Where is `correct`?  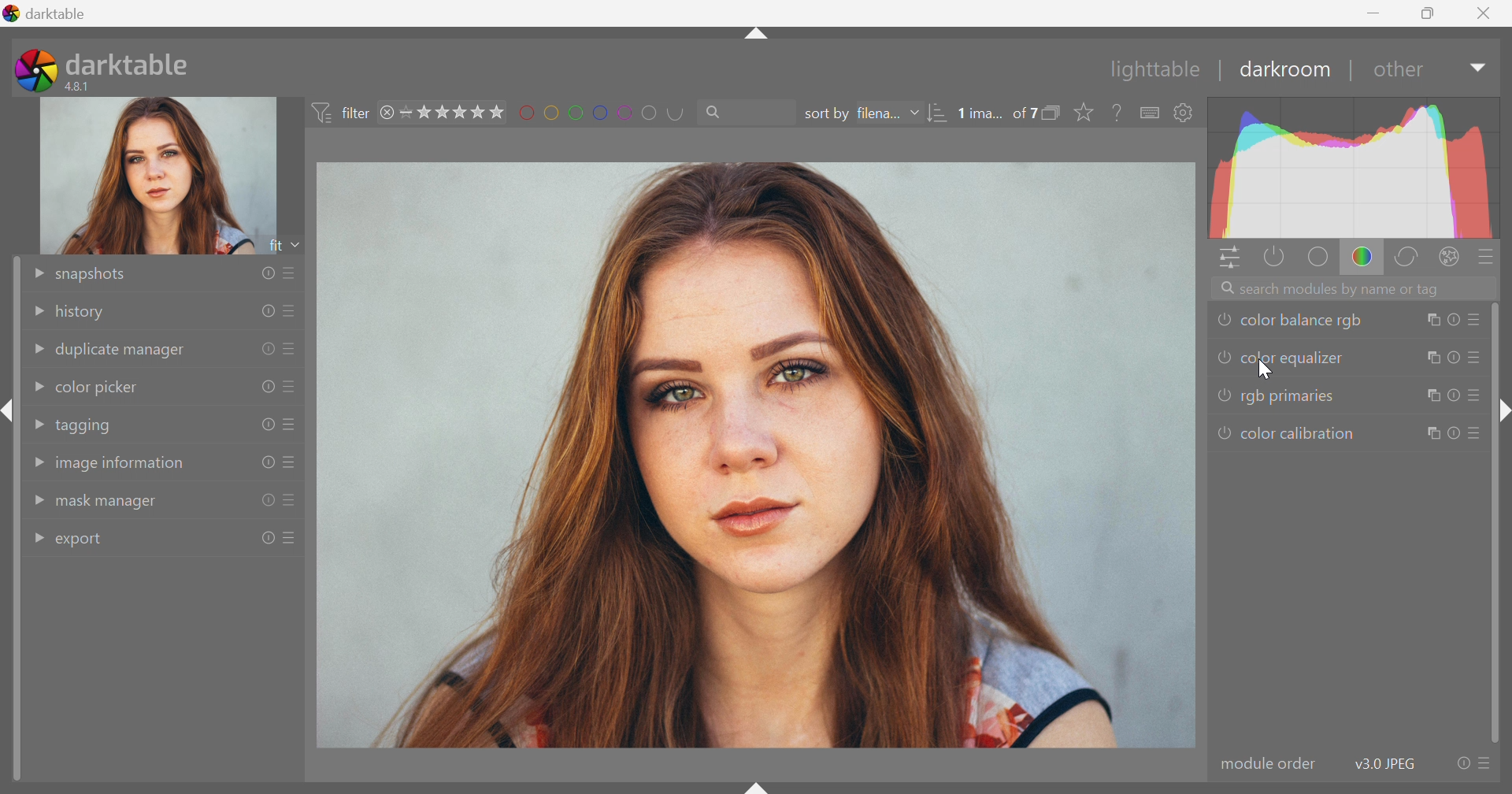
correct is located at coordinates (1412, 258).